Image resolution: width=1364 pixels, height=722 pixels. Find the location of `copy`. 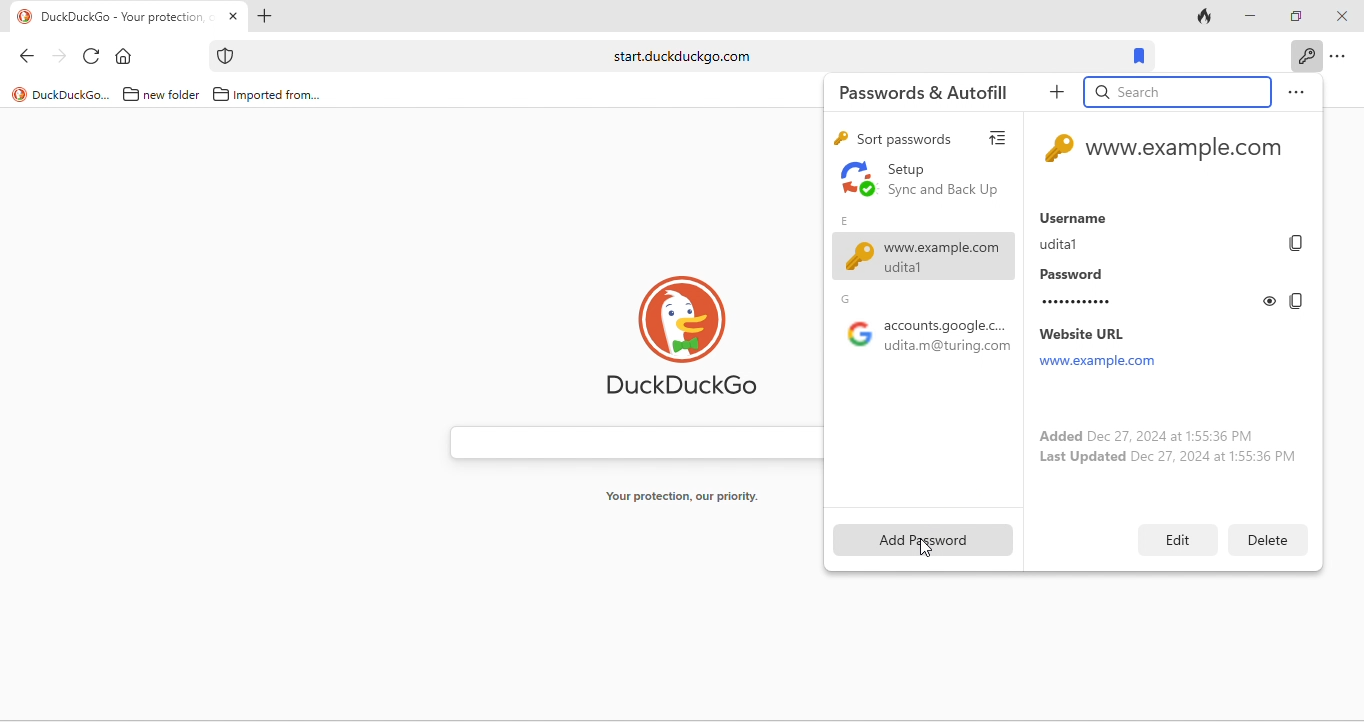

copy is located at coordinates (1297, 301).